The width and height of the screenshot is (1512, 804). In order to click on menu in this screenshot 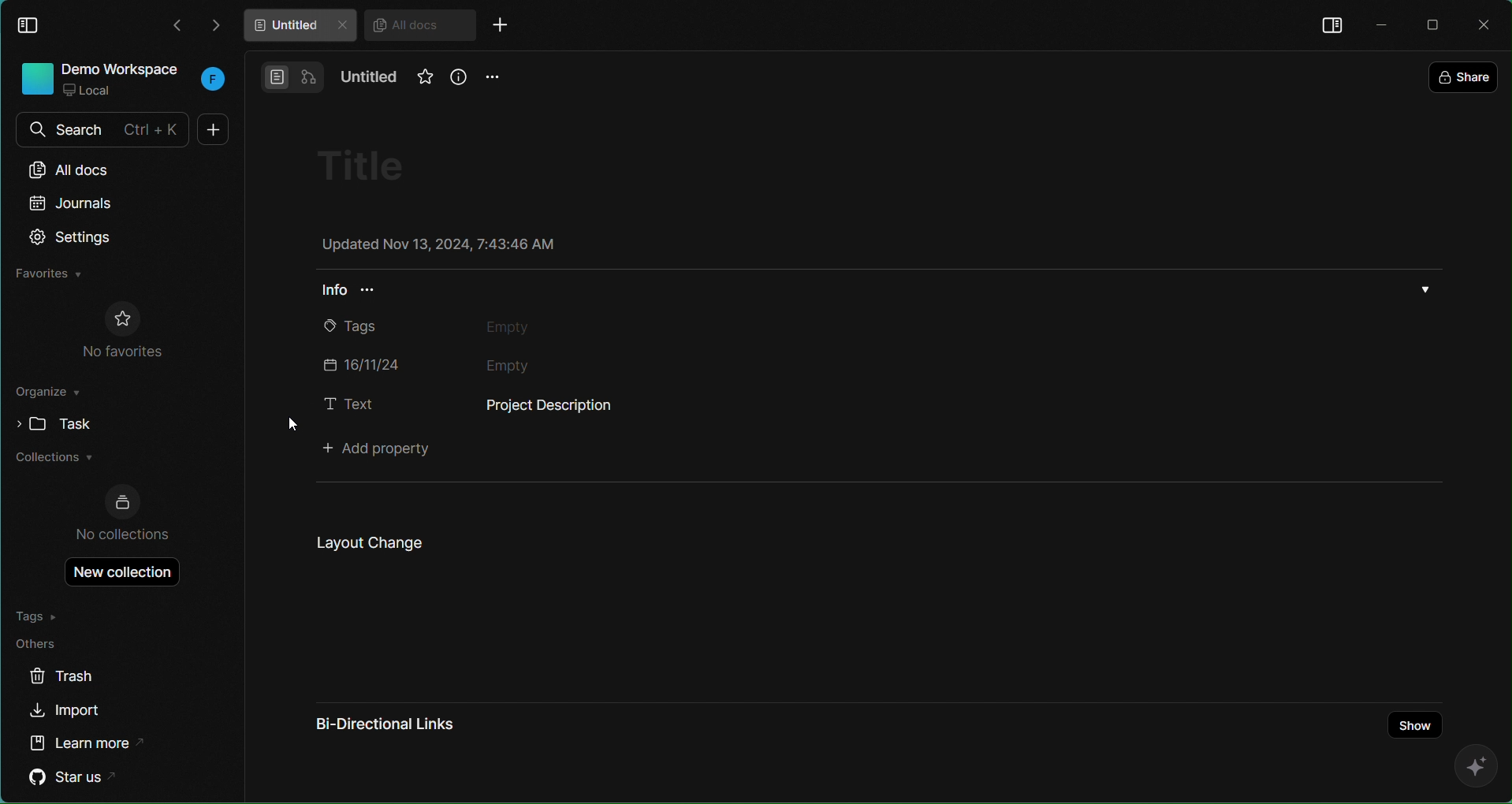, I will do `click(493, 77)`.